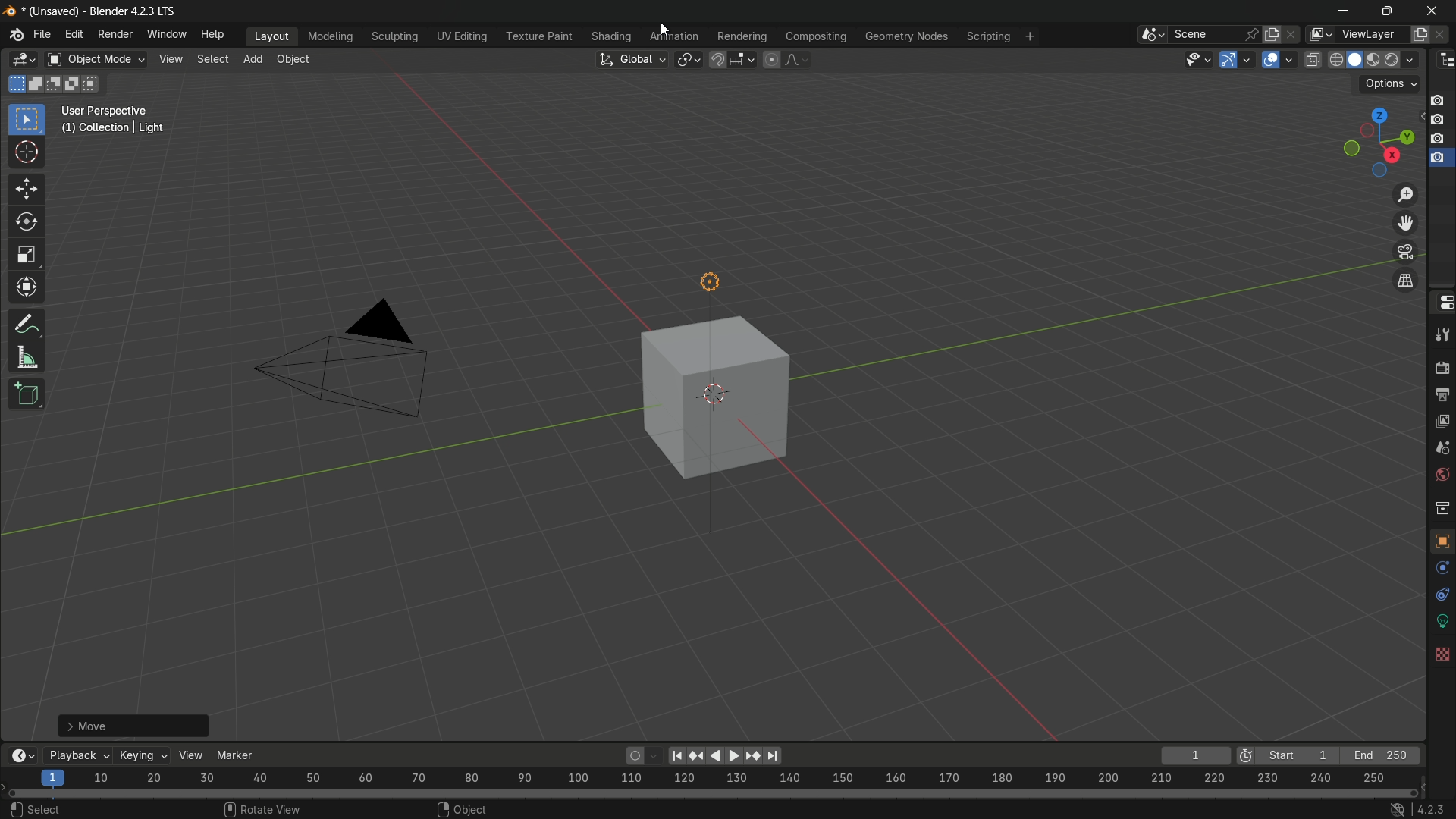 This screenshot has width=1456, height=819. Describe the element at coordinates (814, 37) in the screenshot. I see `compositing menu` at that location.